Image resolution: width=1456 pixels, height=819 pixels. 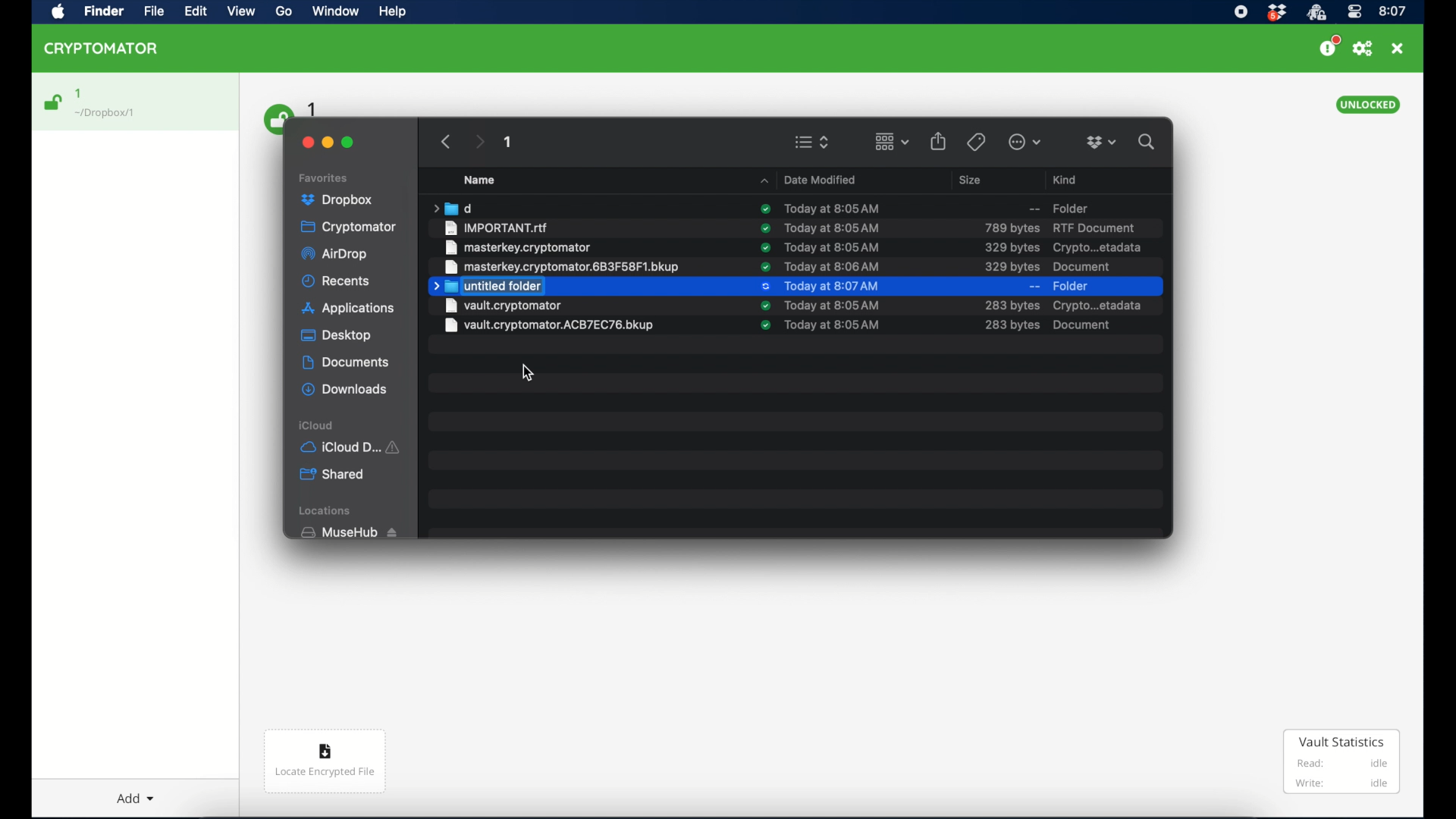 What do you see at coordinates (939, 140) in the screenshot?
I see `share` at bounding box center [939, 140].